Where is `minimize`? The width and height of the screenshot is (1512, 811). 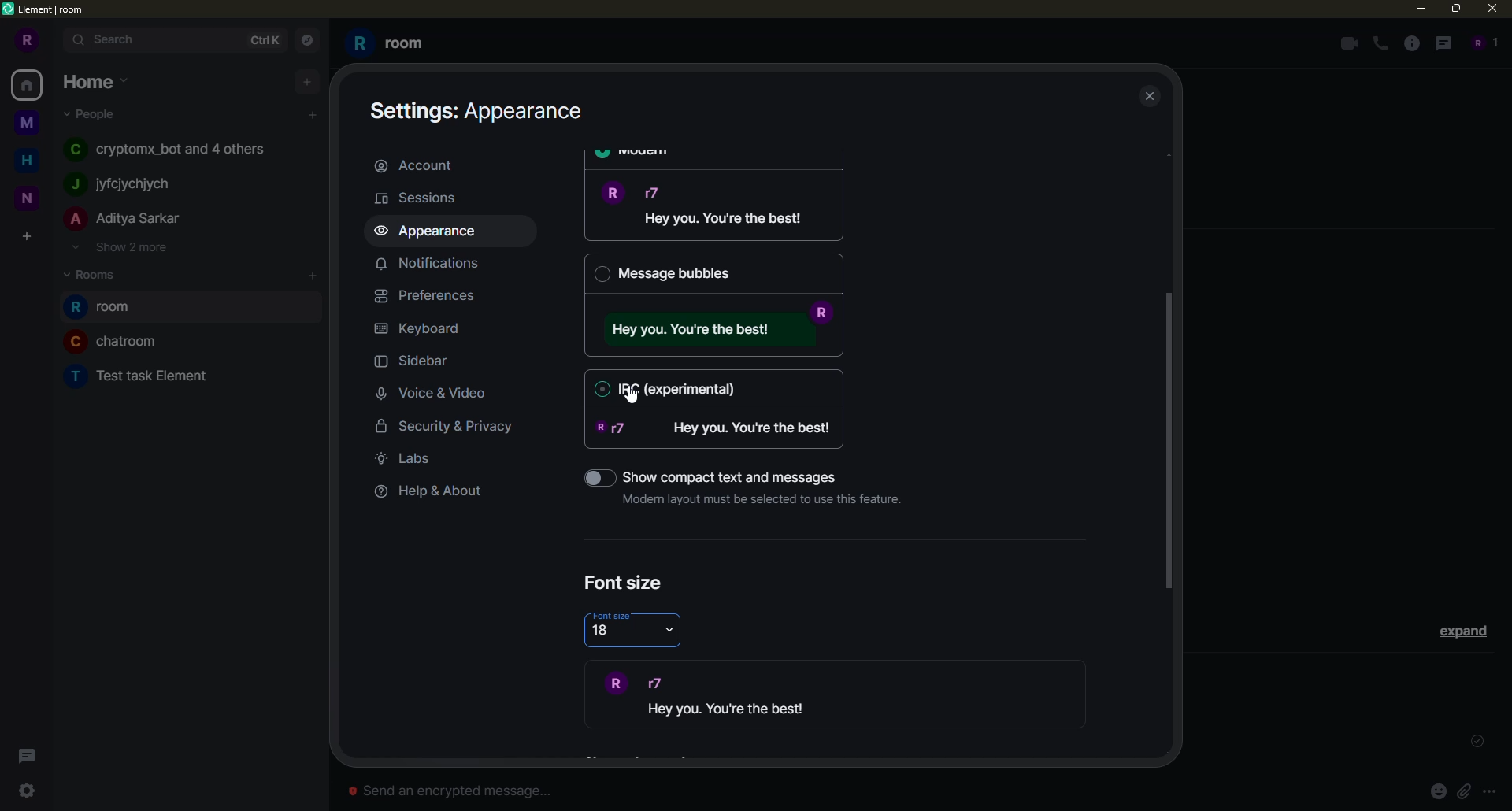
minimize is located at coordinates (1415, 8).